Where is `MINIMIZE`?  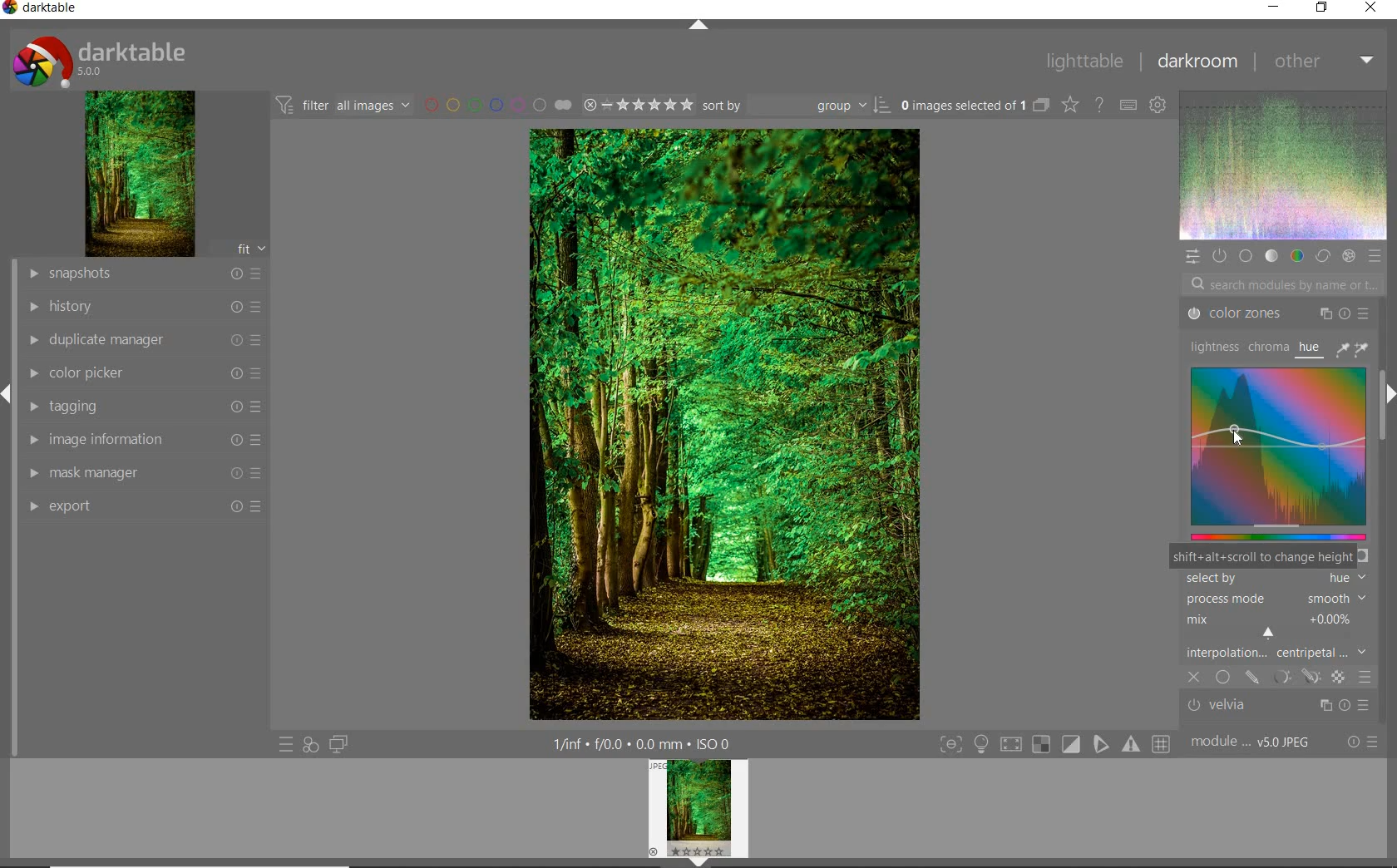 MINIMIZE is located at coordinates (1275, 7).